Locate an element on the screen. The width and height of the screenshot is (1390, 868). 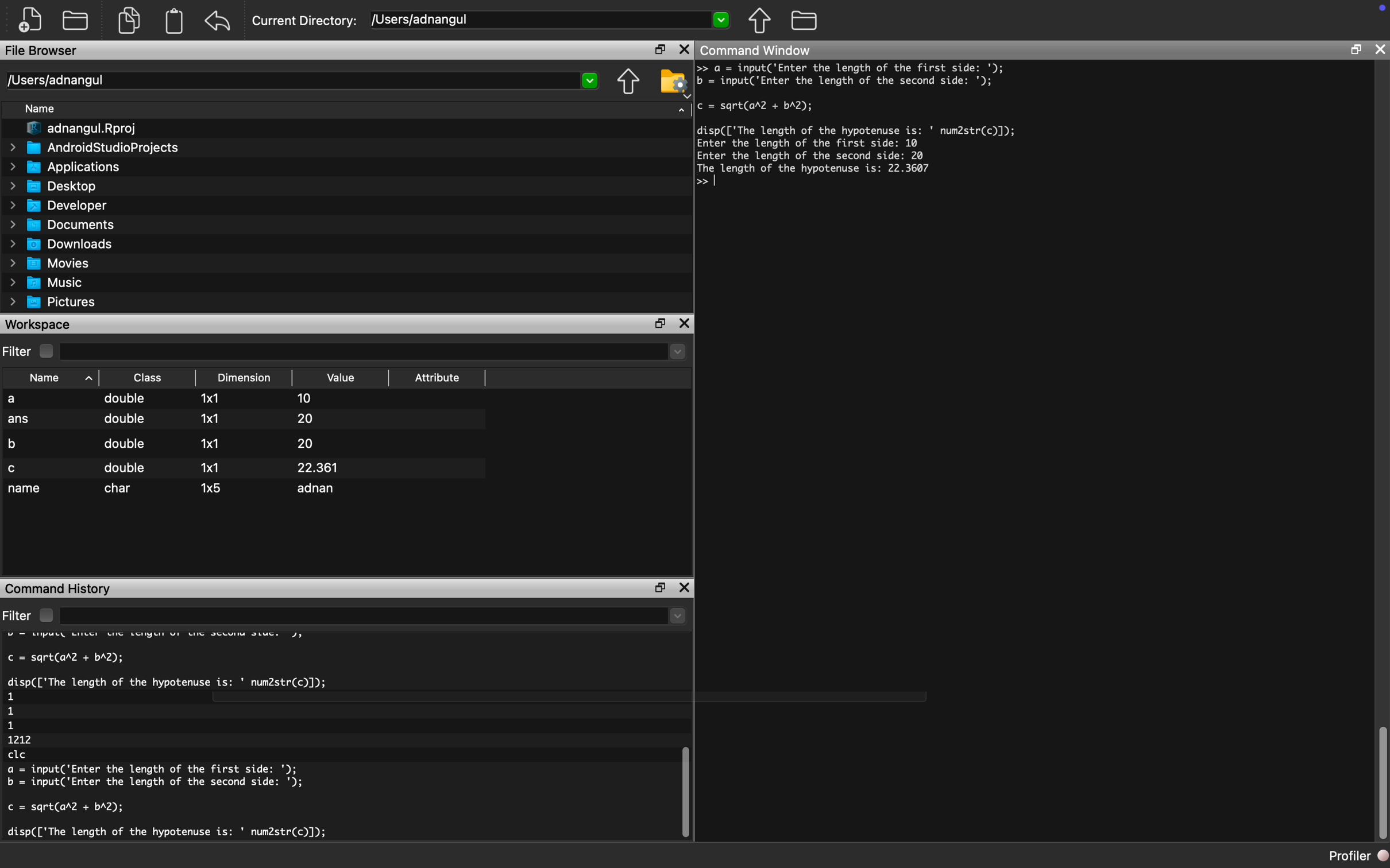
double is located at coordinates (125, 468).